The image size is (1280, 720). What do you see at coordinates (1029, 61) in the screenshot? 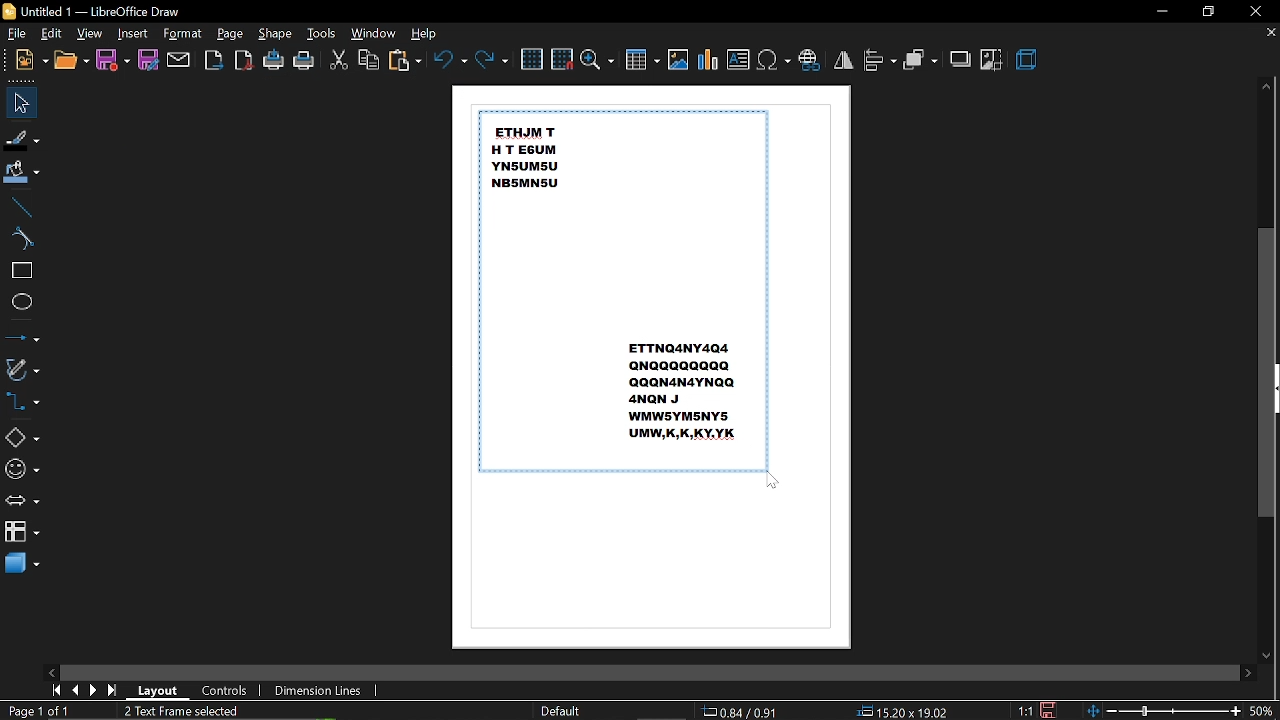
I see `3d effect` at bounding box center [1029, 61].